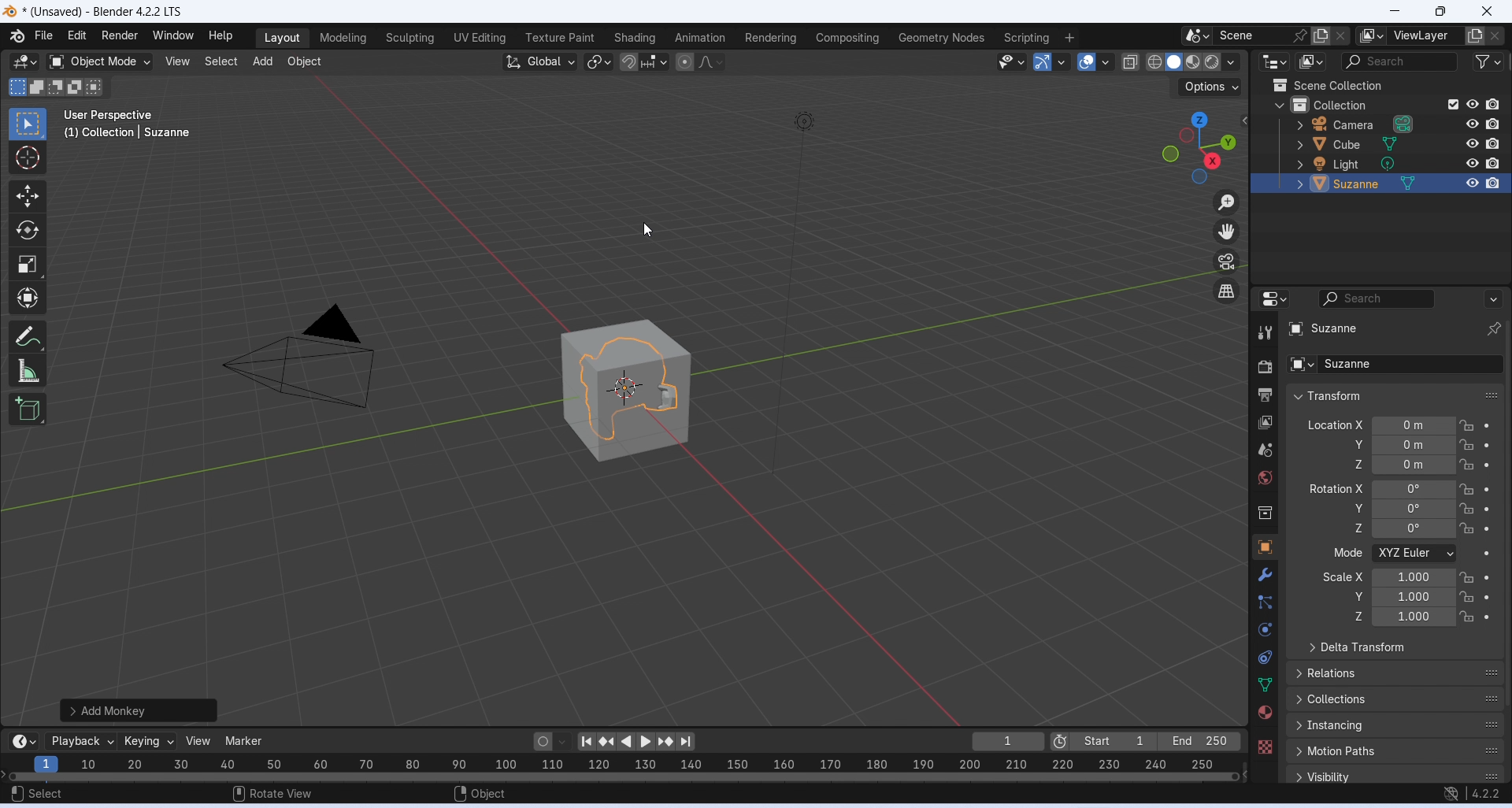 The image size is (1512, 808). What do you see at coordinates (1488, 445) in the screenshot?
I see `animate property` at bounding box center [1488, 445].